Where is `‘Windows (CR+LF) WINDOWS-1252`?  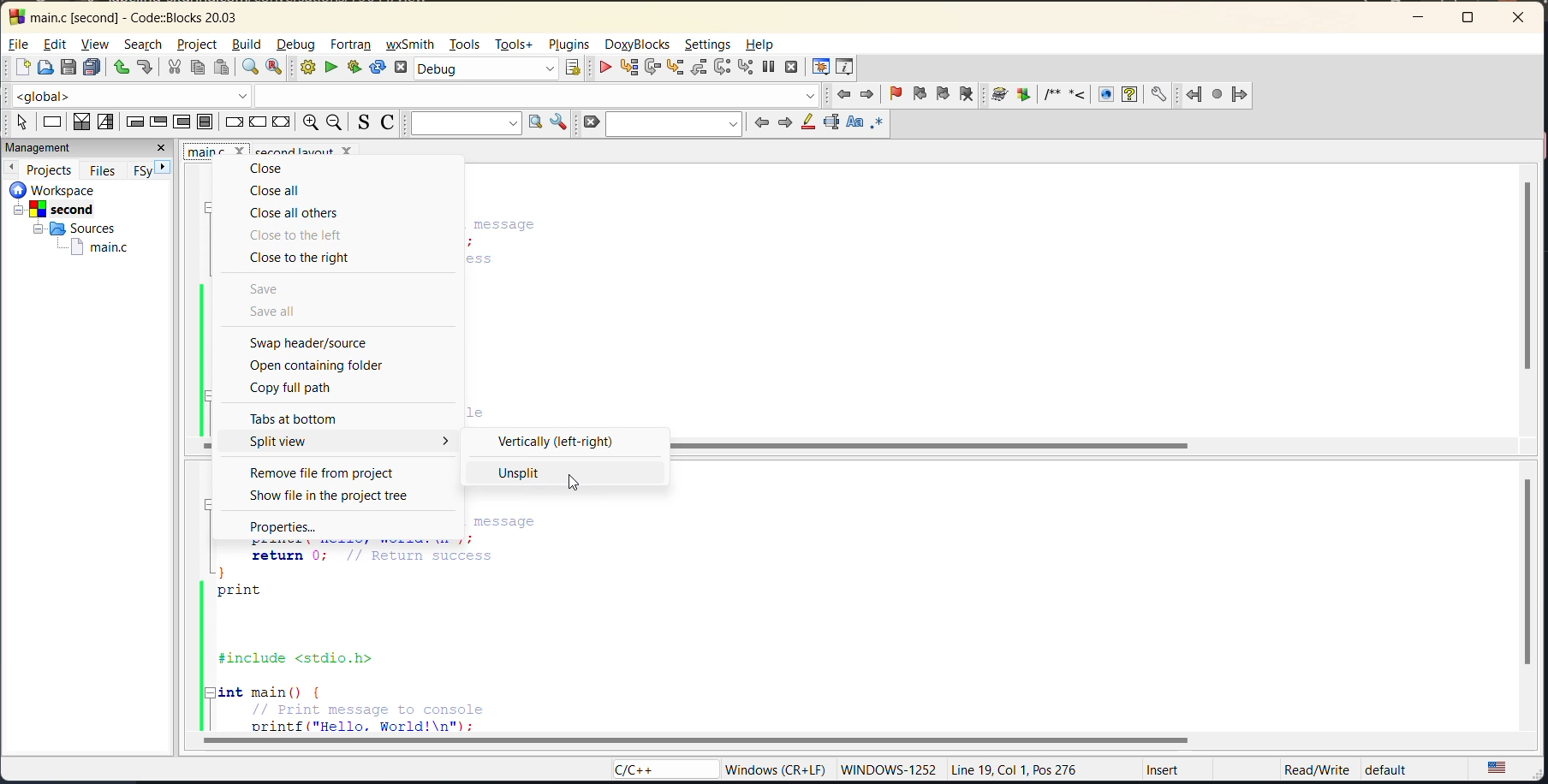
‘Windows (CR+LF) WINDOWS-1252 is located at coordinates (829, 769).